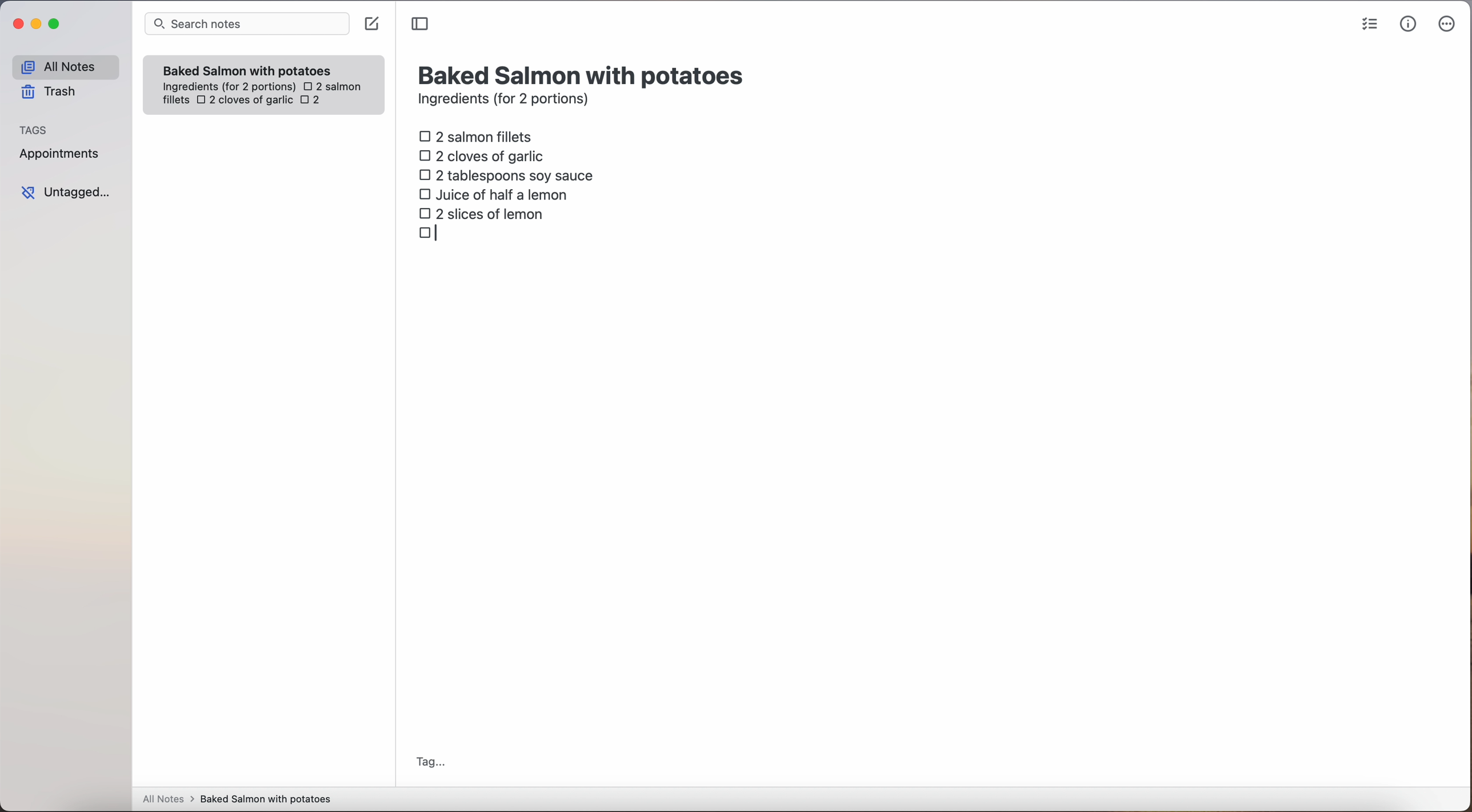 The height and width of the screenshot is (812, 1472). What do you see at coordinates (371, 24) in the screenshot?
I see `create note` at bounding box center [371, 24].